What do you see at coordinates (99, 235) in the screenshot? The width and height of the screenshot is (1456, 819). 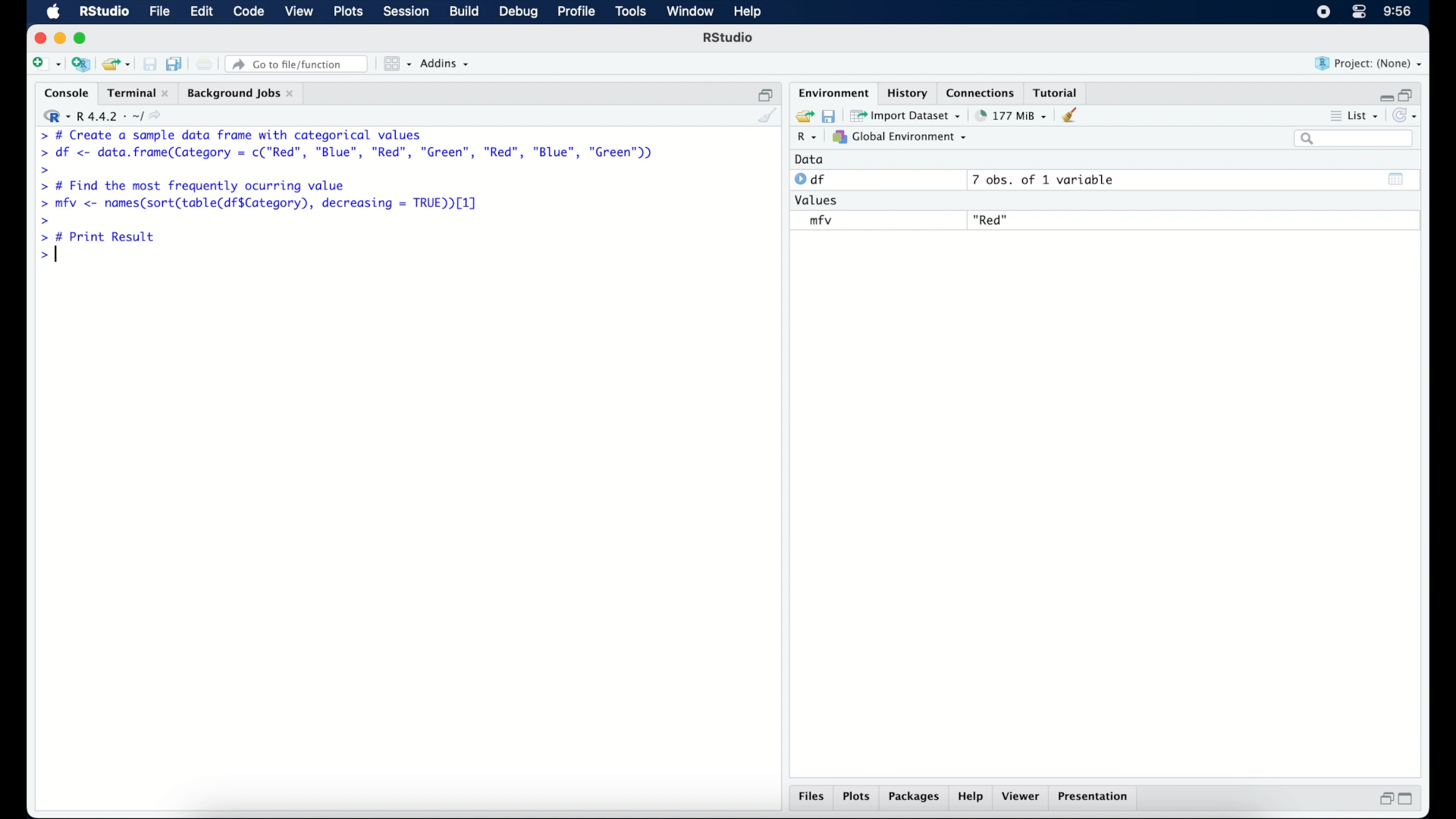 I see `> # Print Result` at bounding box center [99, 235].